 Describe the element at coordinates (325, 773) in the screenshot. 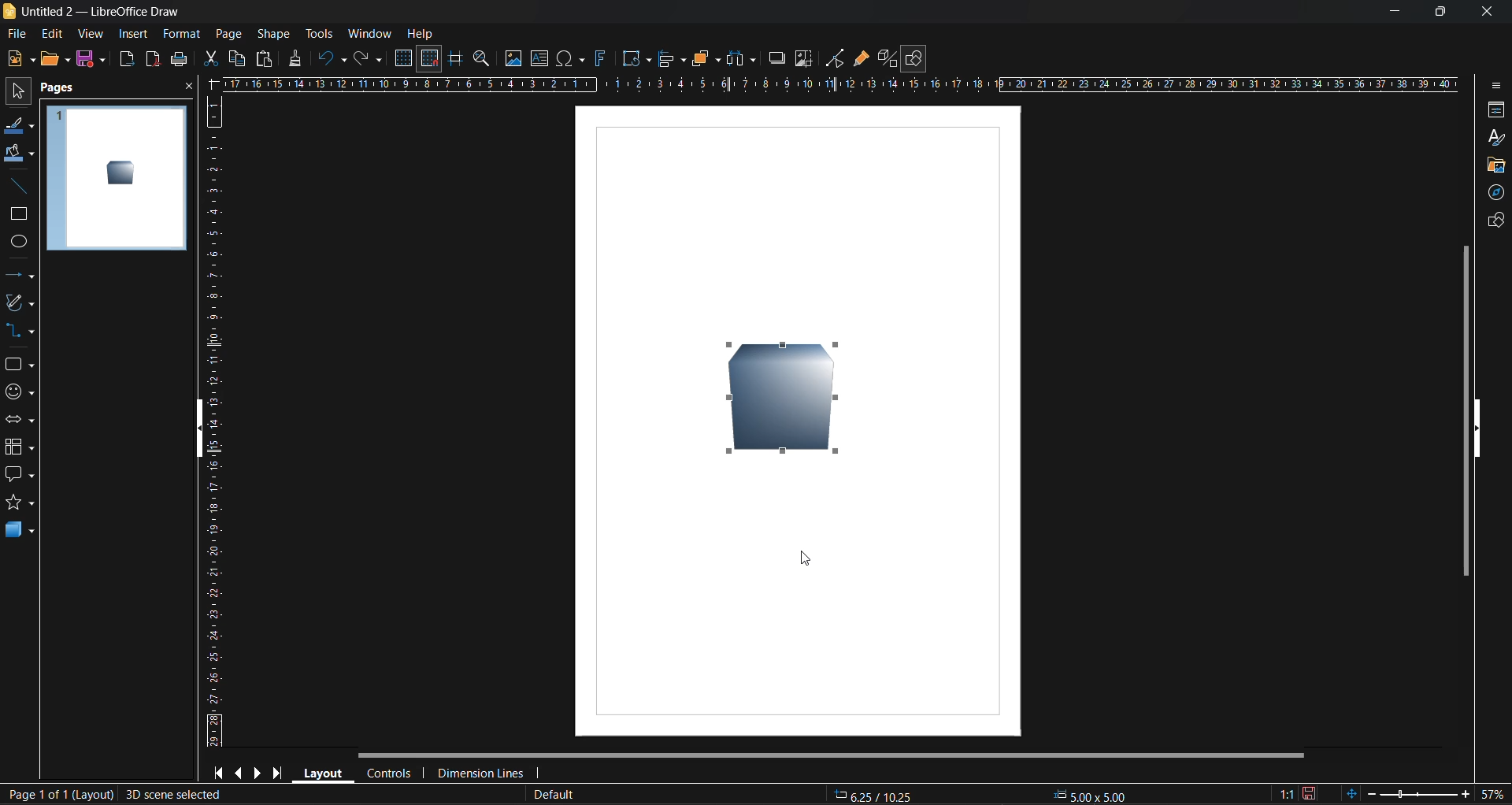

I see `layout` at that location.